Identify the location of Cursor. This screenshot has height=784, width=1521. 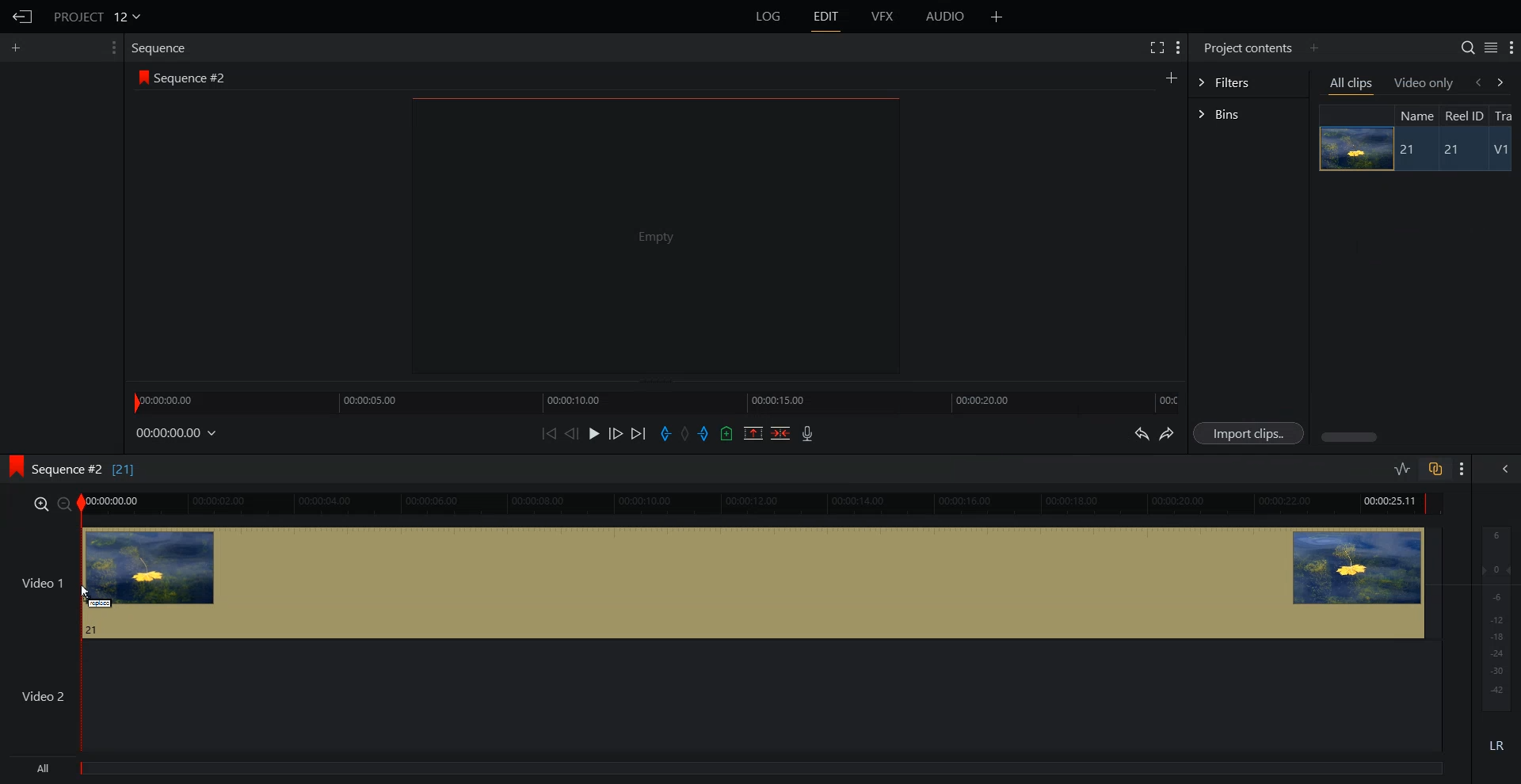
(87, 592).